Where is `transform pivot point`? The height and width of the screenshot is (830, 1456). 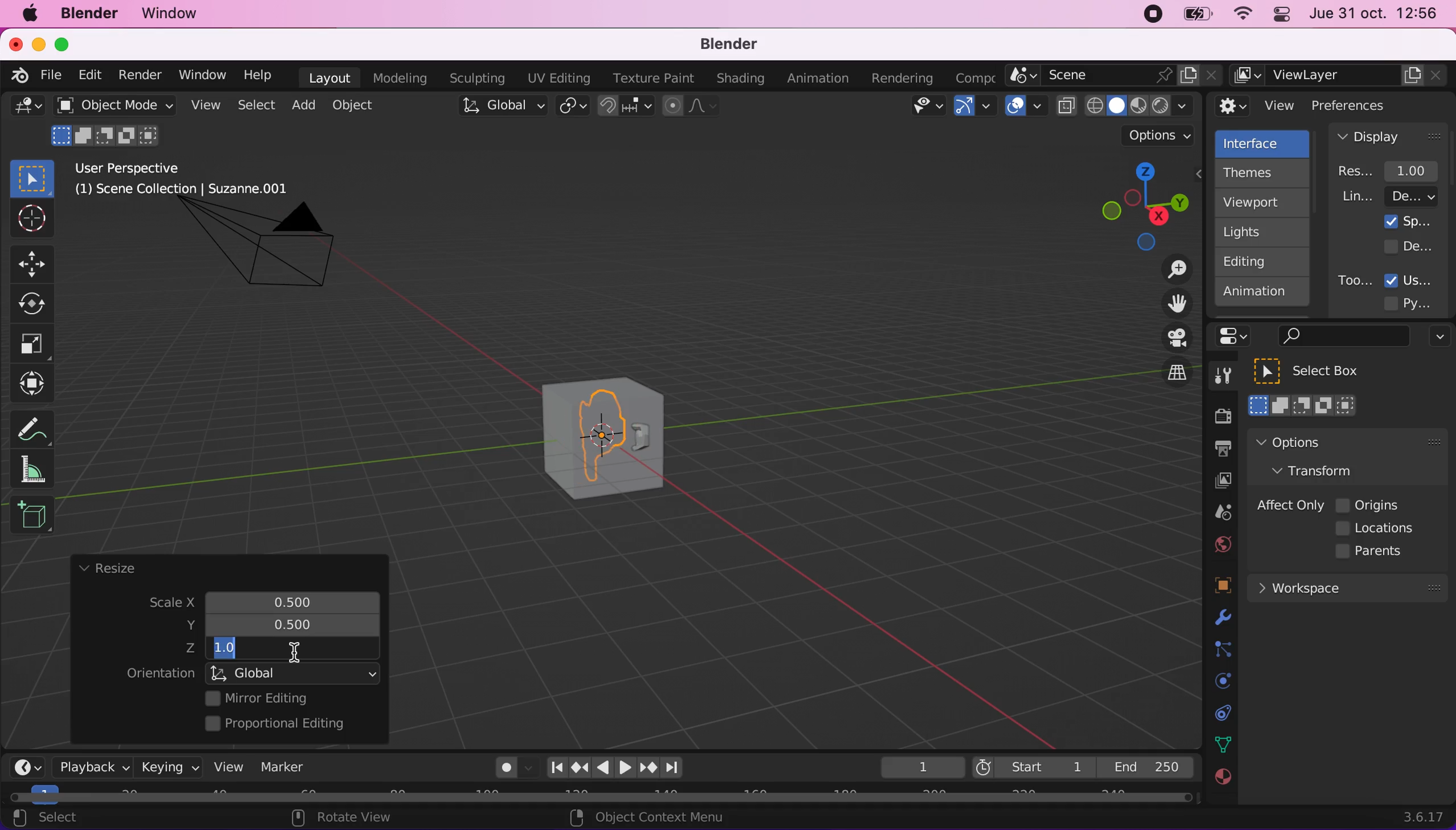
transform pivot point is located at coordinates (574, 107).